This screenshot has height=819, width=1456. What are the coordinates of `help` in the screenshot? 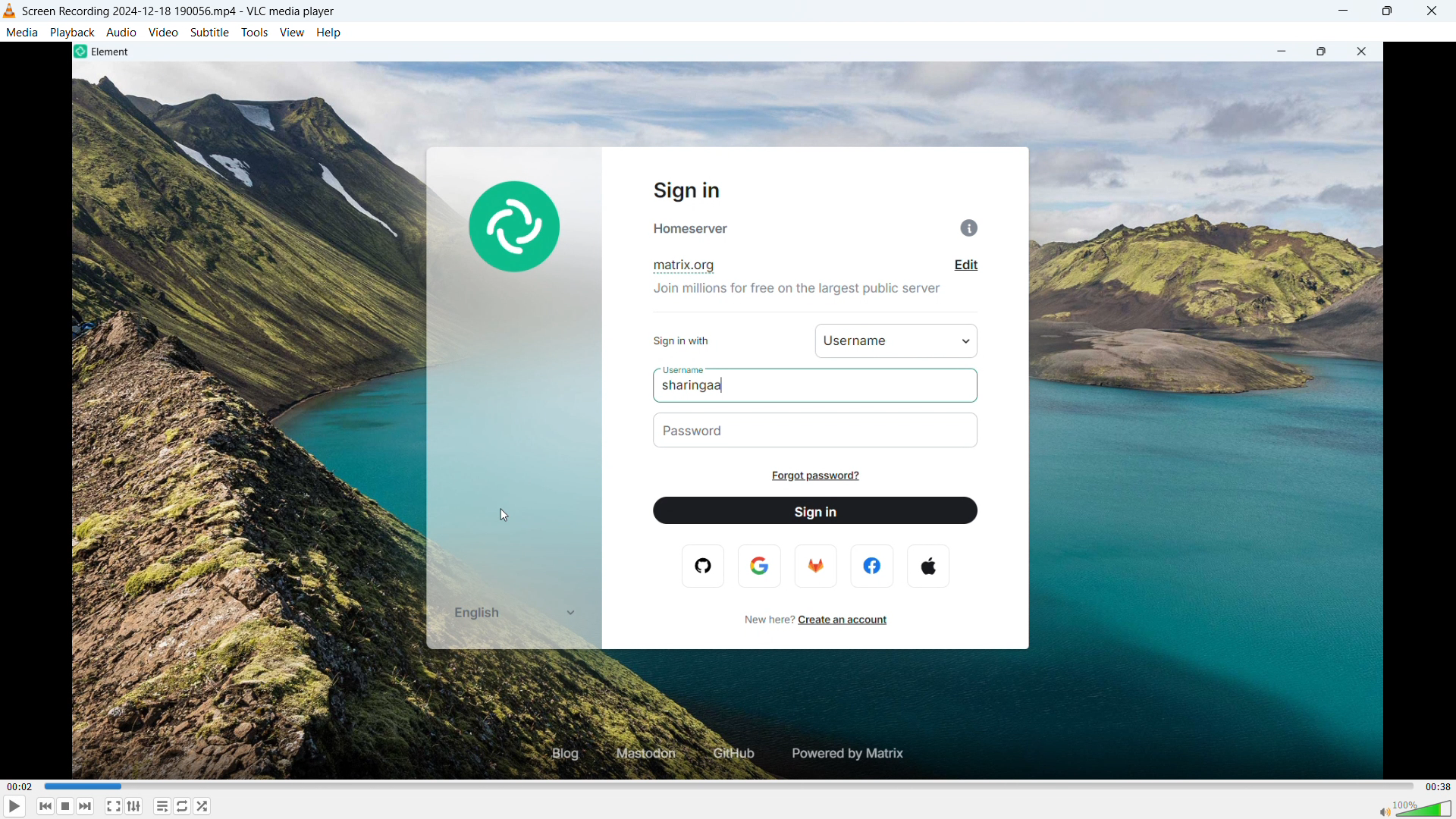 It's located at (329, 33).